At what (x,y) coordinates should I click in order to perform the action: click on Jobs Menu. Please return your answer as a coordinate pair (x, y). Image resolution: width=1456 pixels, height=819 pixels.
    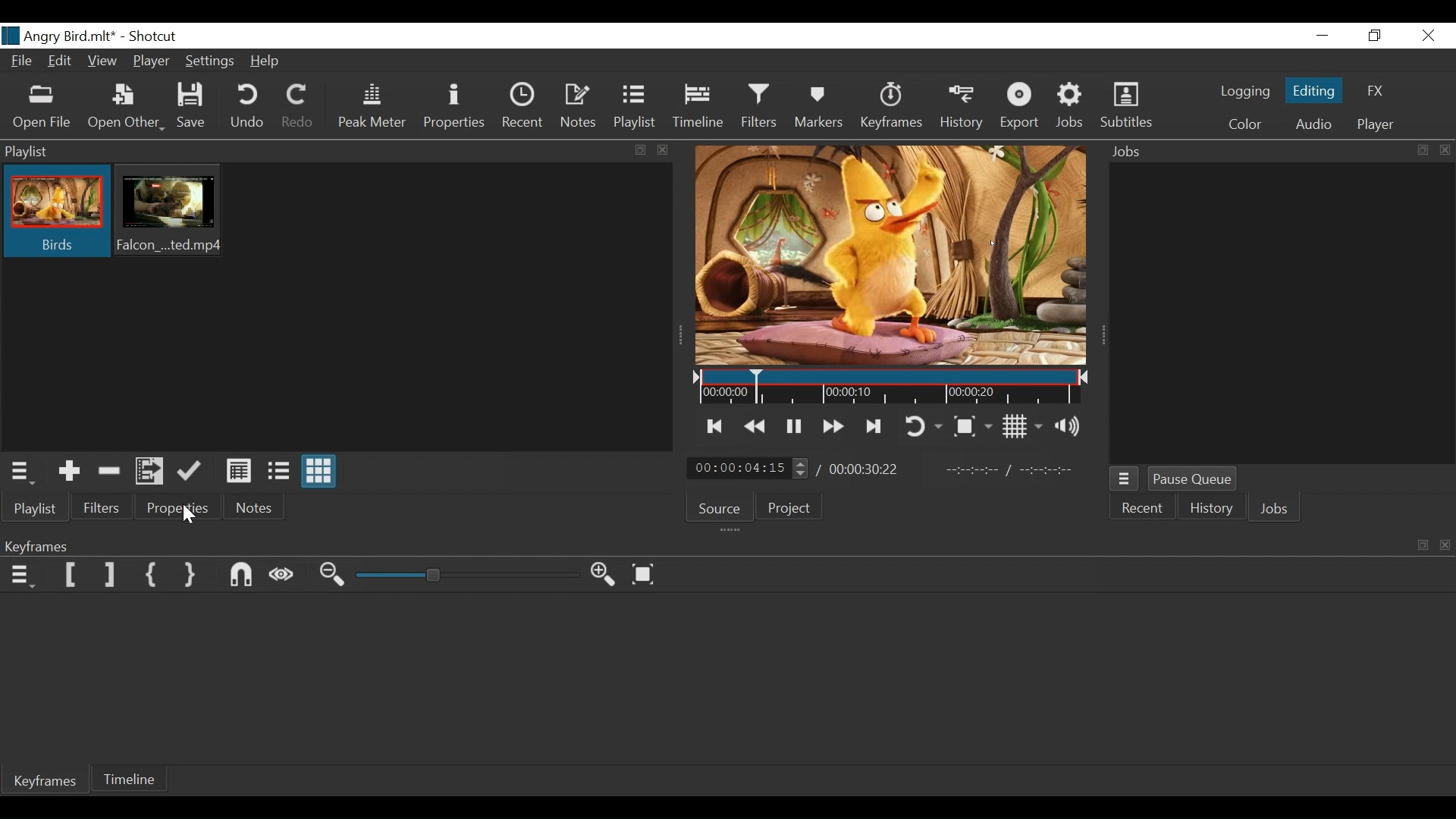
    Looking at the image, I should click on (1127, 479).